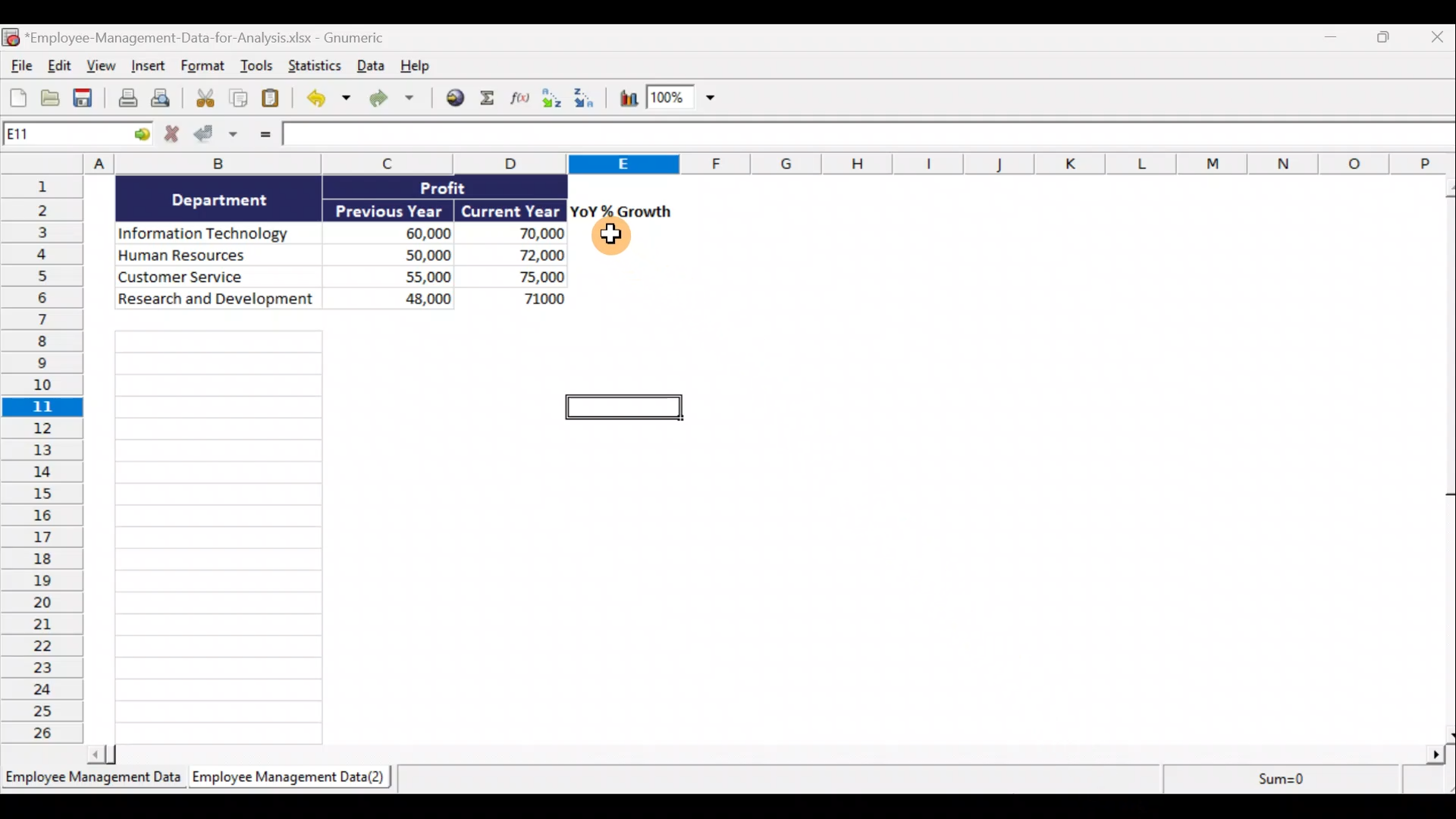  I want to click on Undo last action, so click(325, 99).